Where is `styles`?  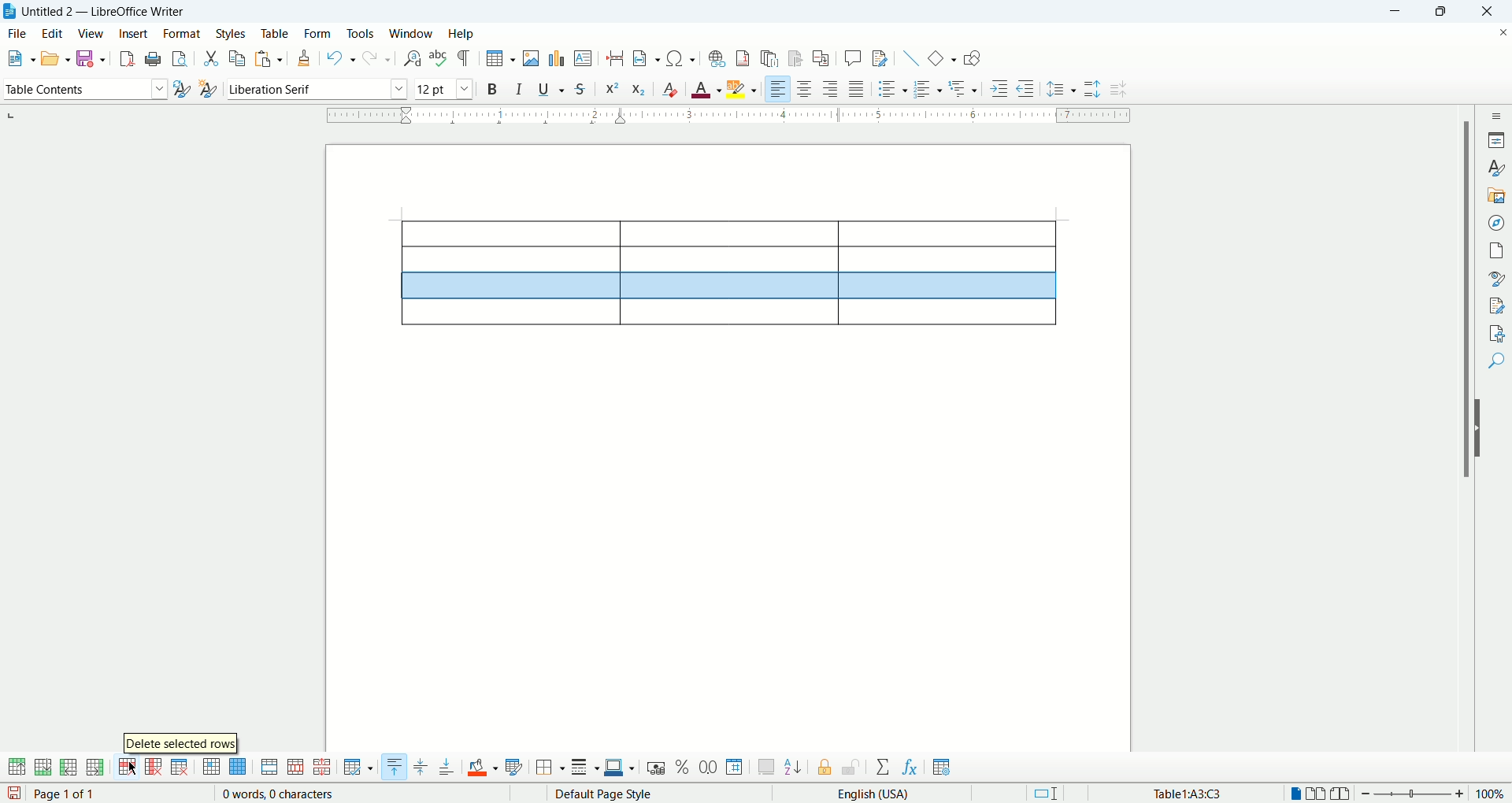
styles is located at coordinates (232, 35).